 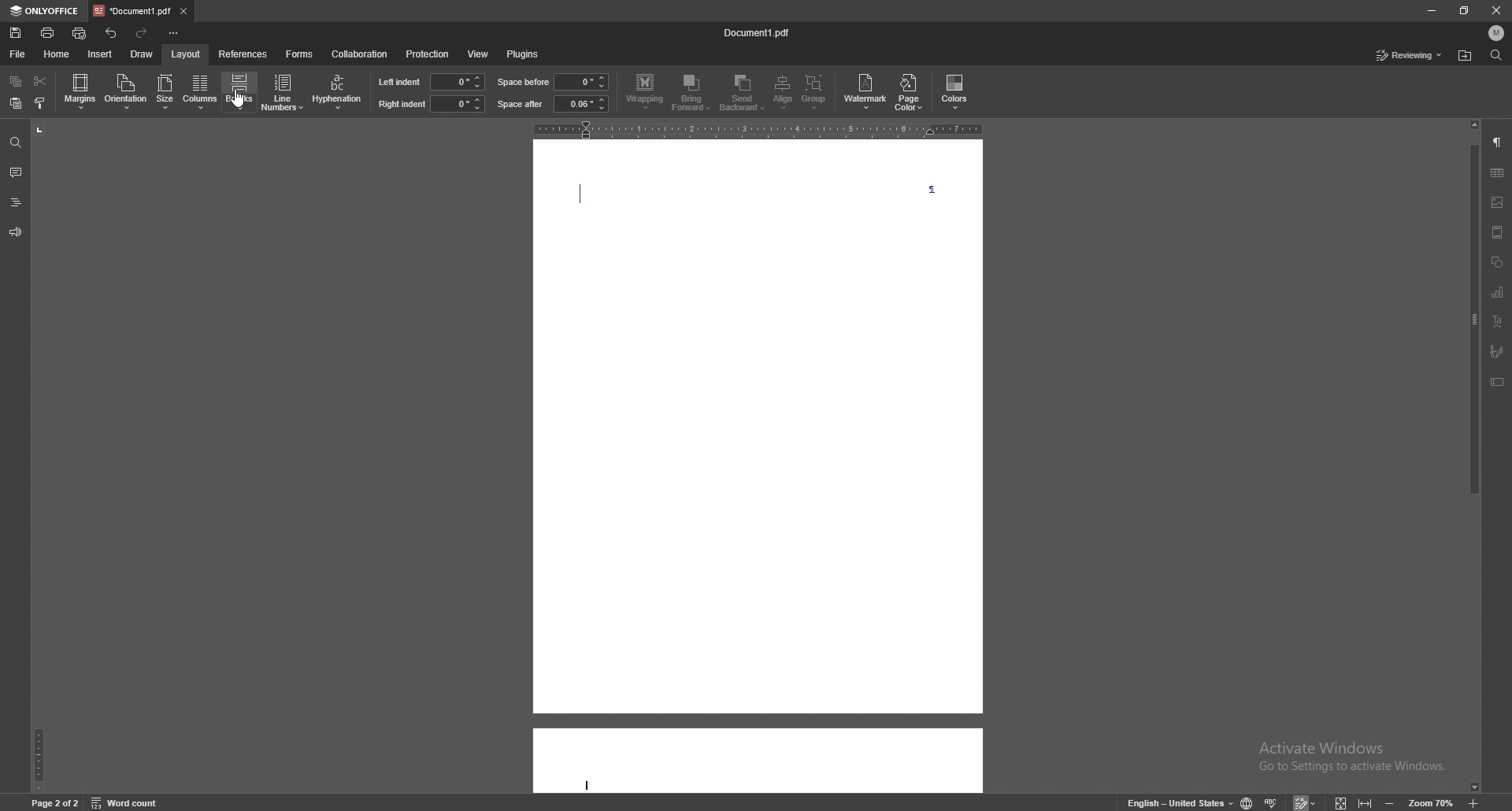 What do you see at coordinates (1175, 802) in the screenshot?
I see `English - United States` at bounding box center [1175, 802].